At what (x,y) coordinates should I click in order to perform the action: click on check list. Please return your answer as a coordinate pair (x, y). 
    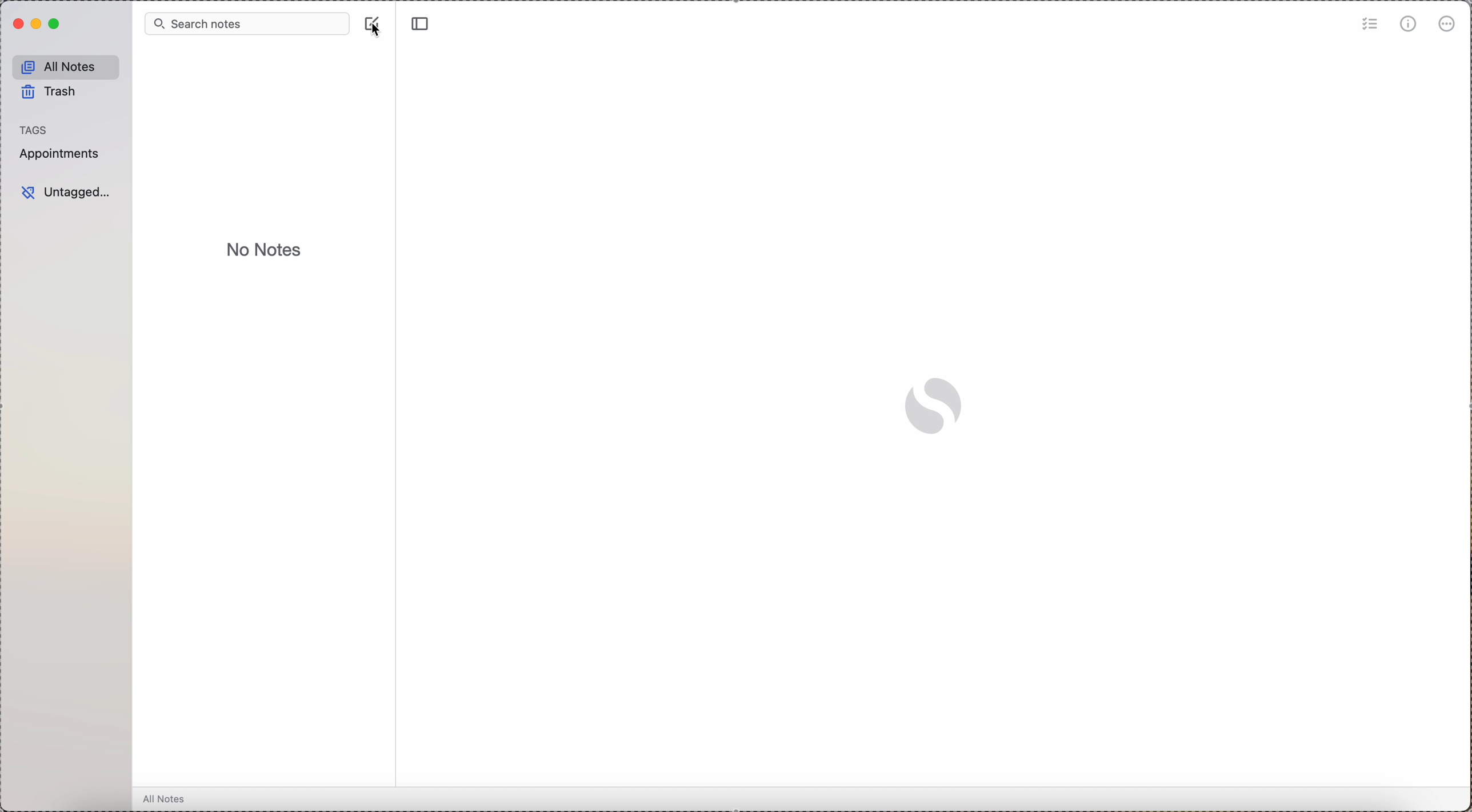
    Looking at the image, I should click on (1368, 25).